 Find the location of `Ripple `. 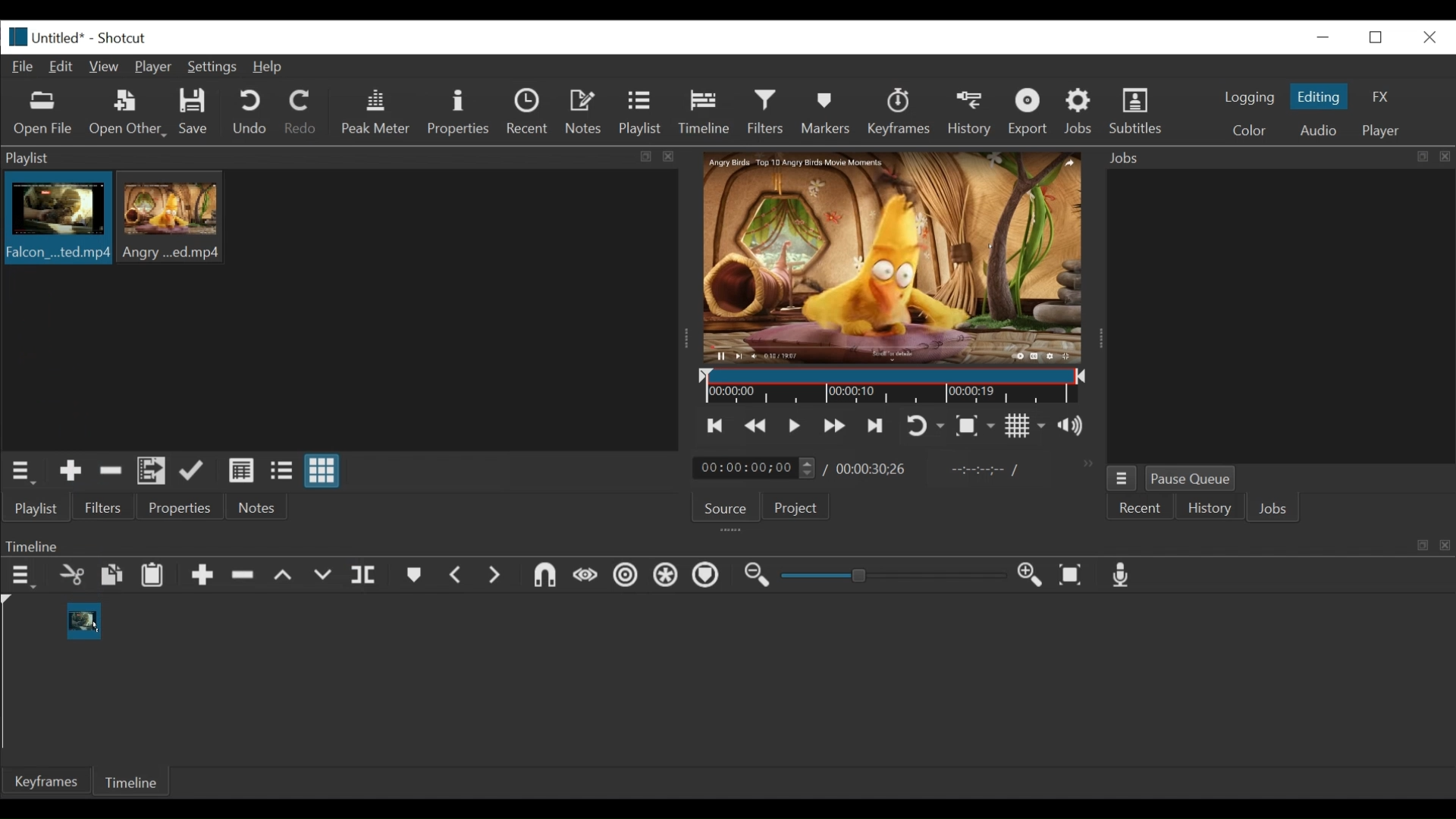

Ripple  is located at coordinates (626, 577).